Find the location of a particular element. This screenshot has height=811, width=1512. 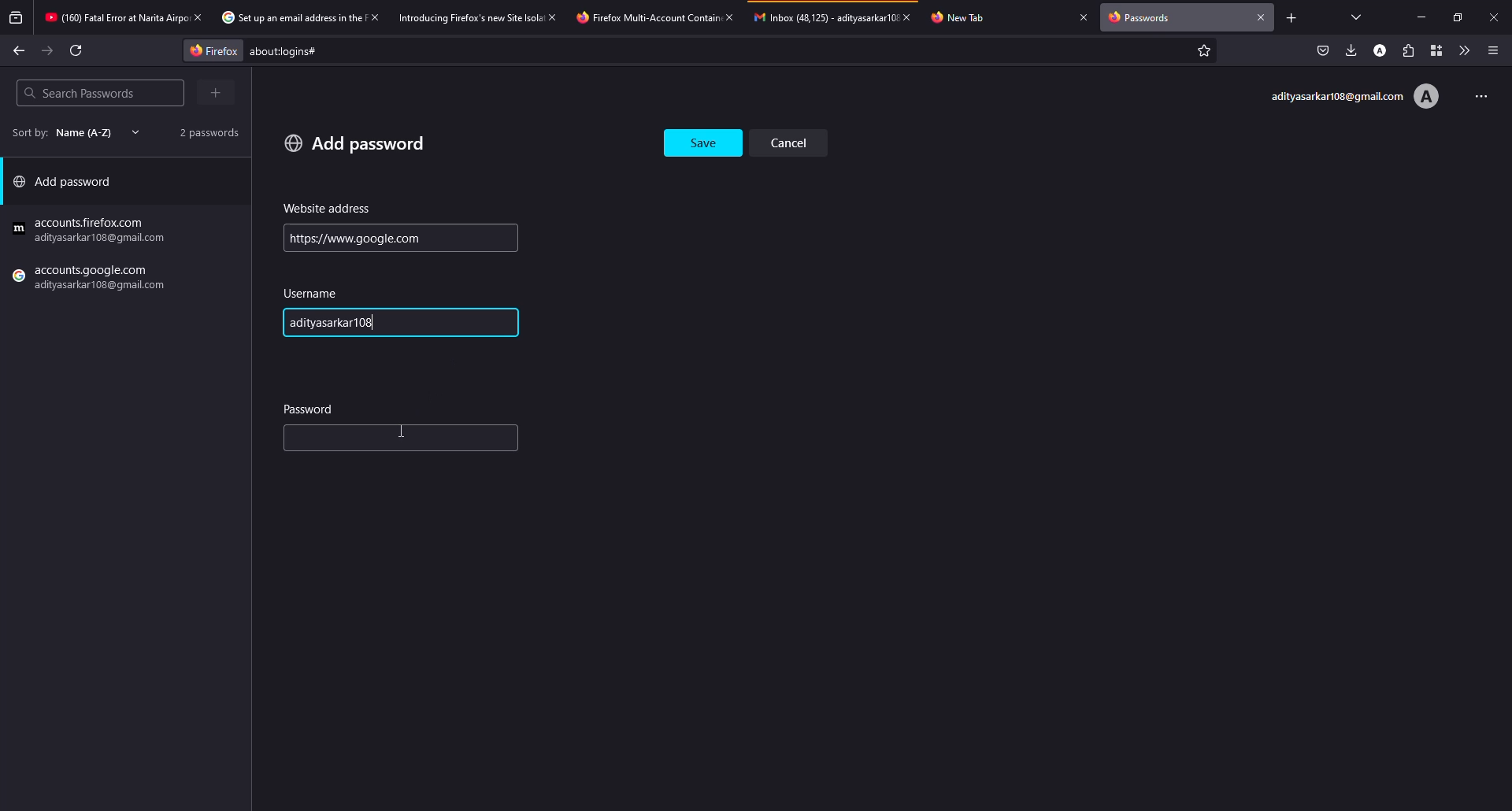

downloads is located at coordinates (1351, 50).